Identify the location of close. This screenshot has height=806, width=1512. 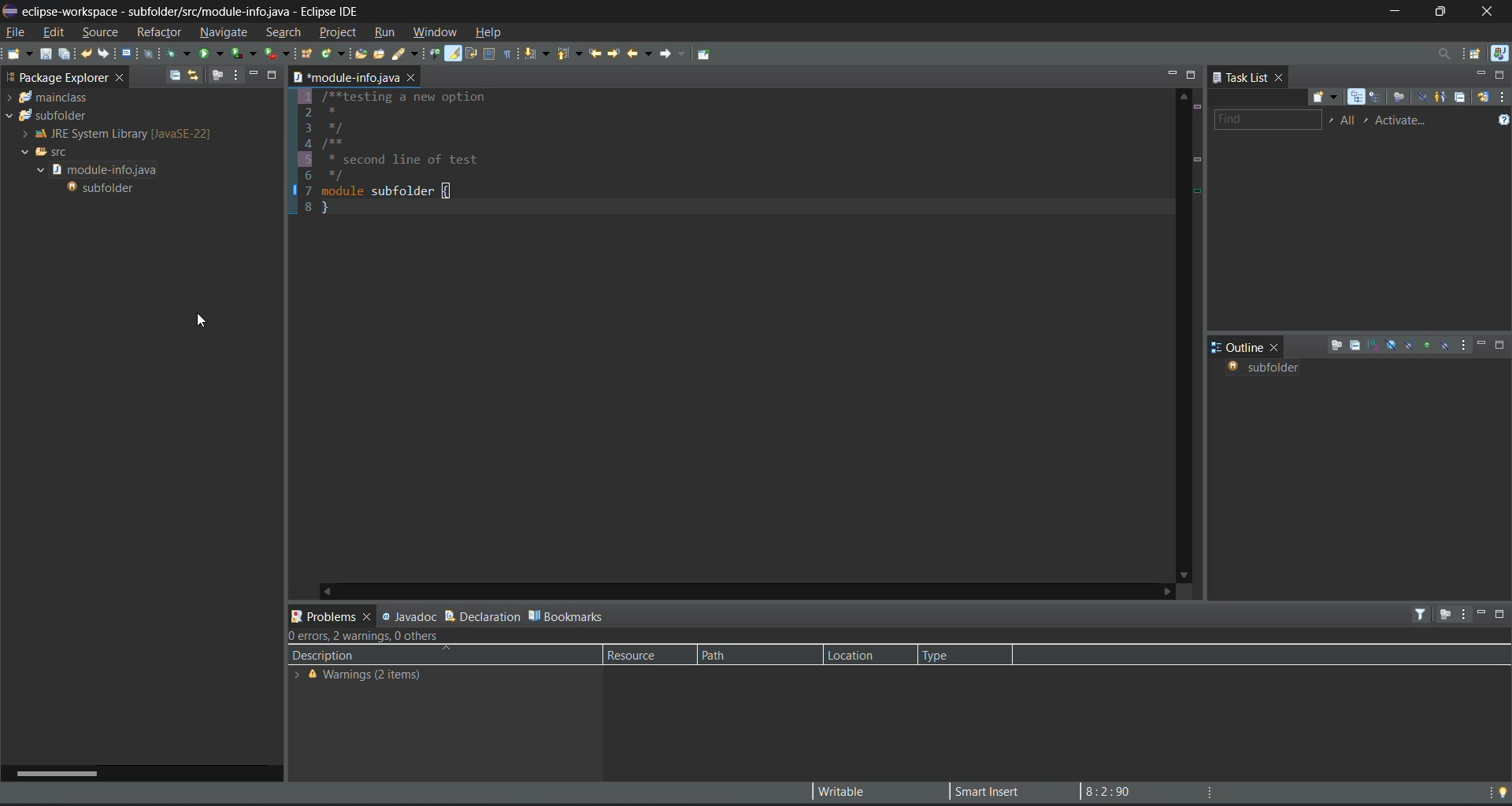
(1493, 12).